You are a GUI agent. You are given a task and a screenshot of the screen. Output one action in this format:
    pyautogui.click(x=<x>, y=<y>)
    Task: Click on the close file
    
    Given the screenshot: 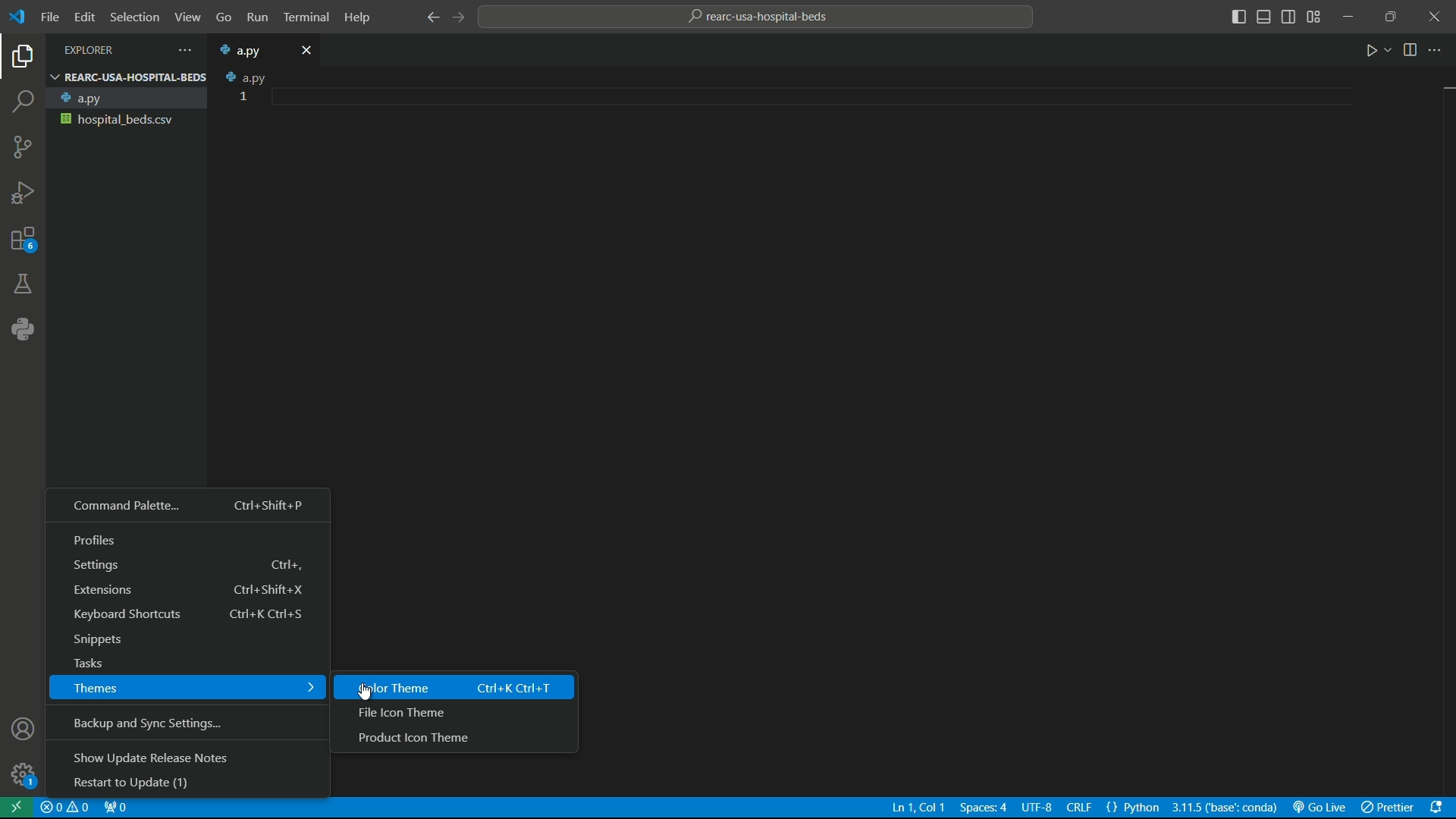 What is the action you would take?
    pyautogui.click(x=308, y=49)
    